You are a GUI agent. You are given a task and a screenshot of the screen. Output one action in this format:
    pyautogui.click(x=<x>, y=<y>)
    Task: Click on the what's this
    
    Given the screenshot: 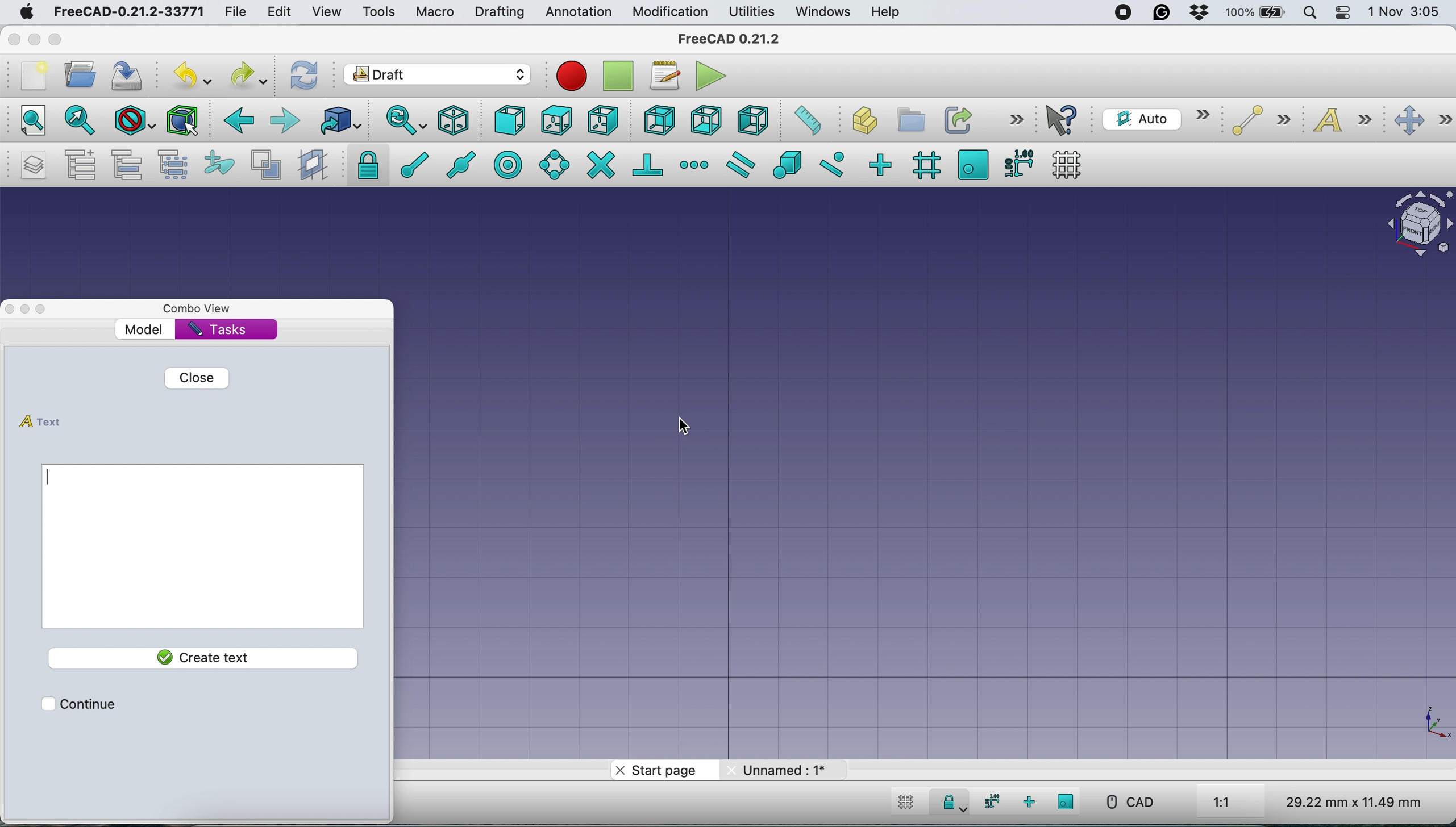 What is the action you would take?
    pyautogui.click(x=1062, y=119)
    